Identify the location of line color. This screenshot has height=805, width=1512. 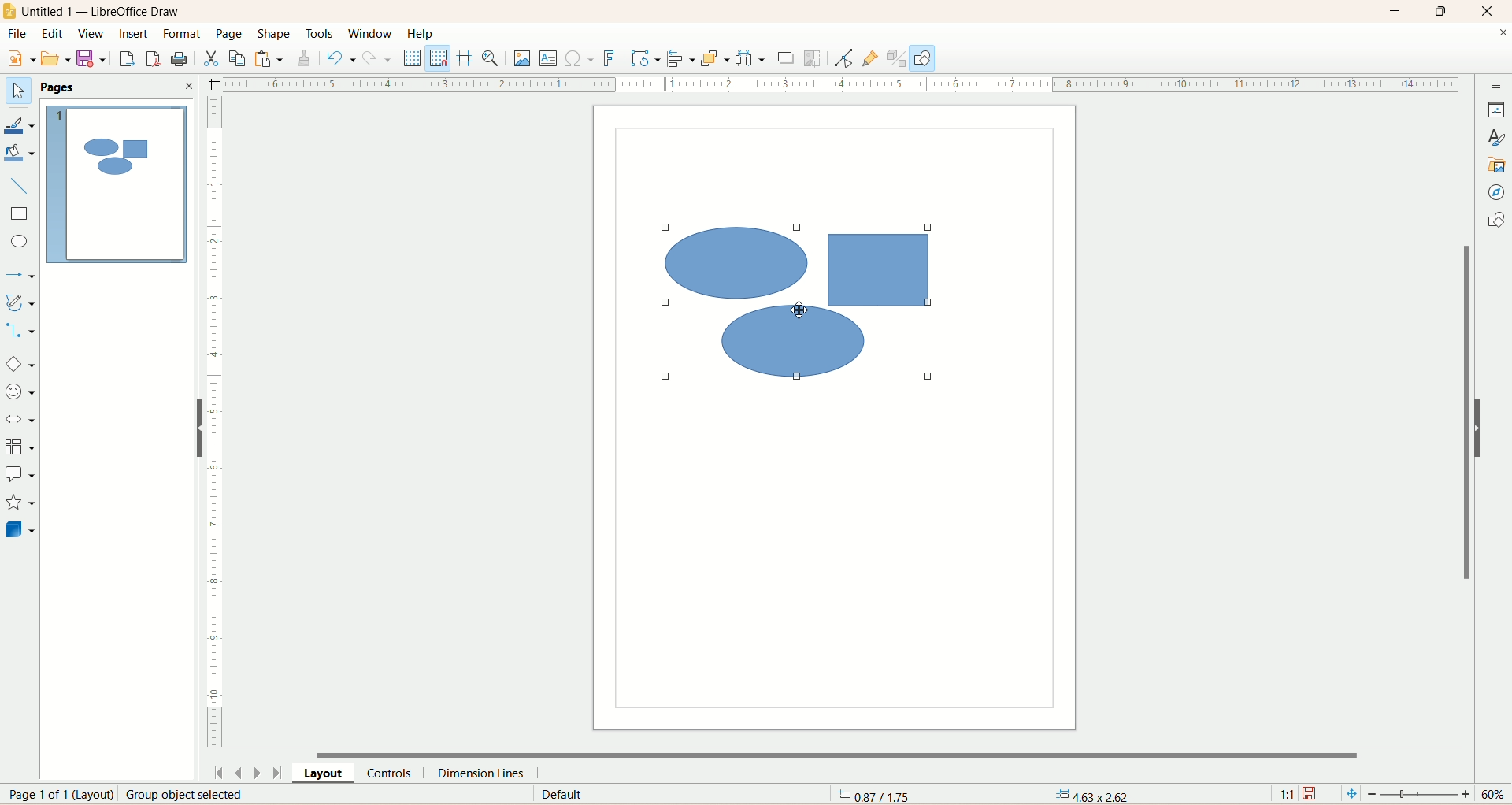
(20, 124).